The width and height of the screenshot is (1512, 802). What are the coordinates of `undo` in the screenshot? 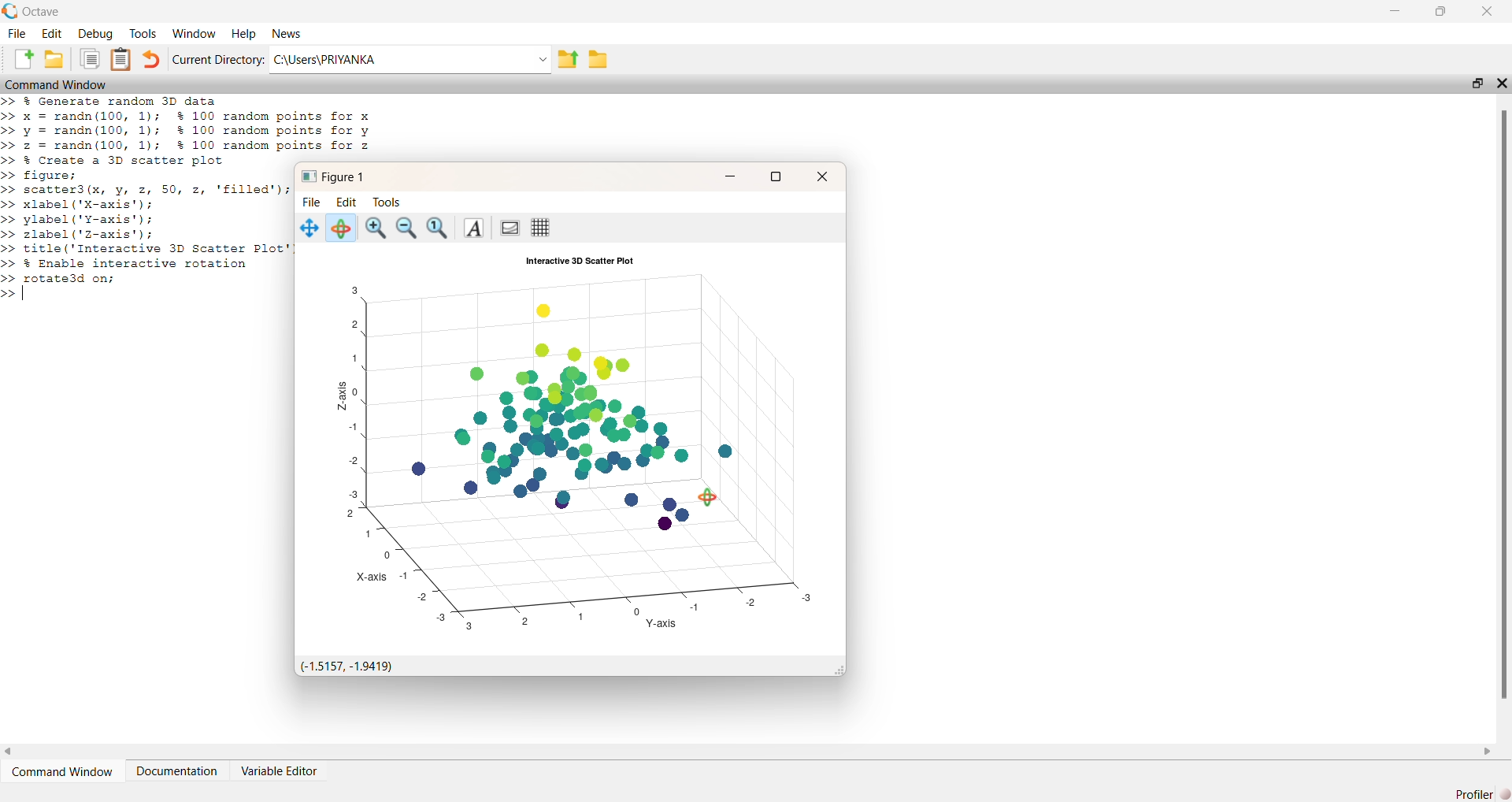 It's located at (151, 59).